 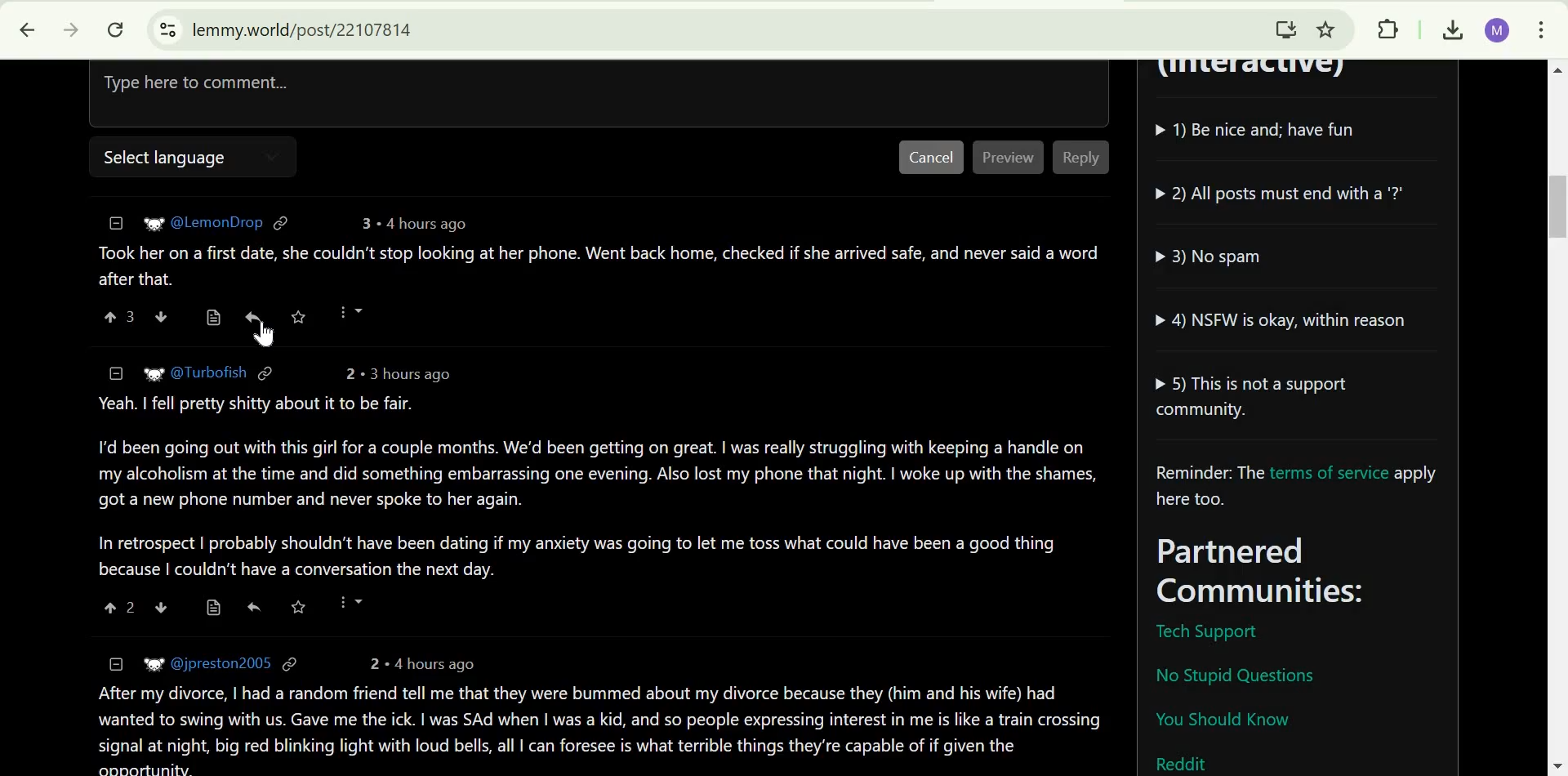 I want to click on more options, so click(x=351, y=312).